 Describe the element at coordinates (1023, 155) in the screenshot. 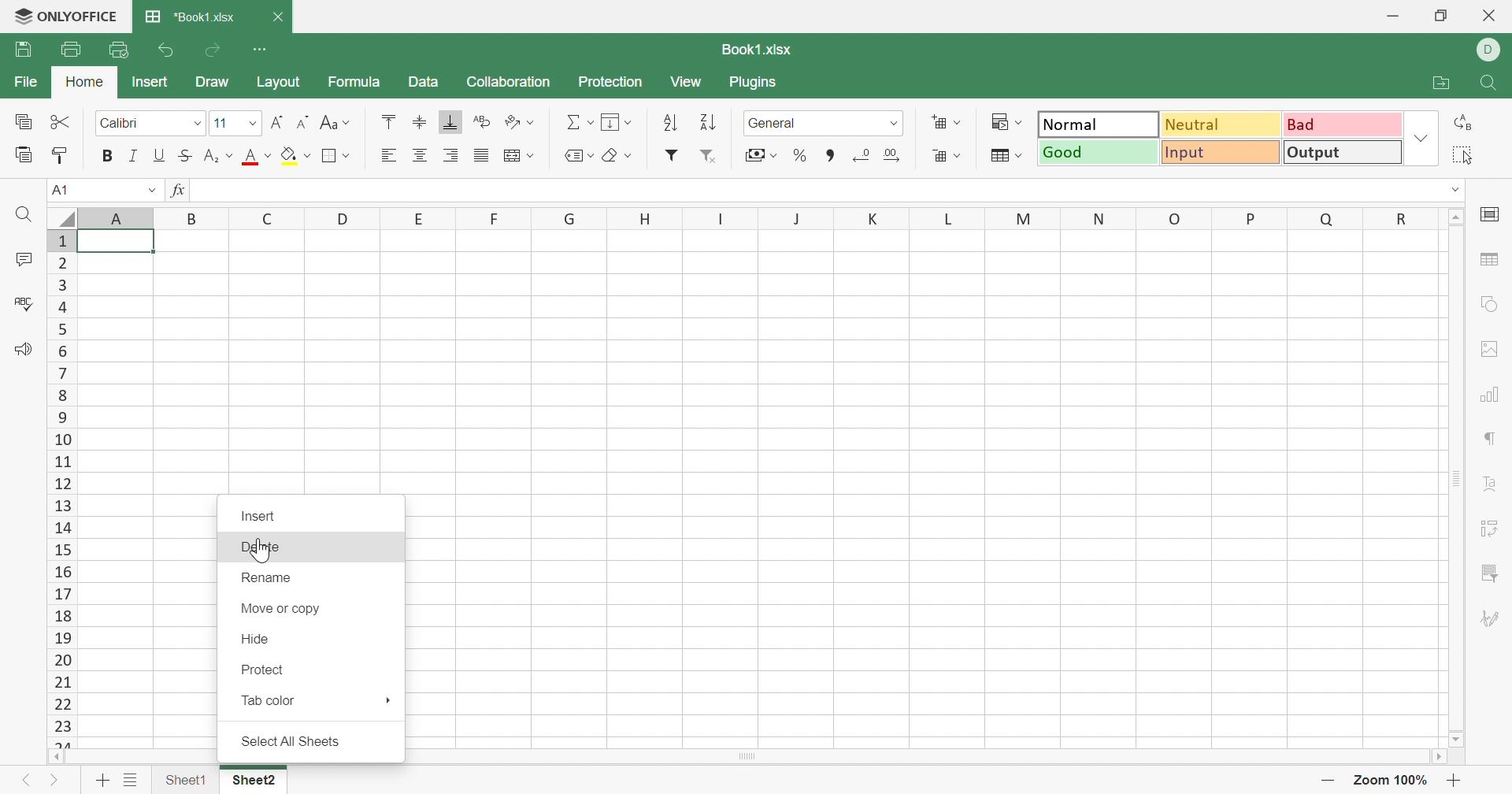

I see `Drop Down` at that location.